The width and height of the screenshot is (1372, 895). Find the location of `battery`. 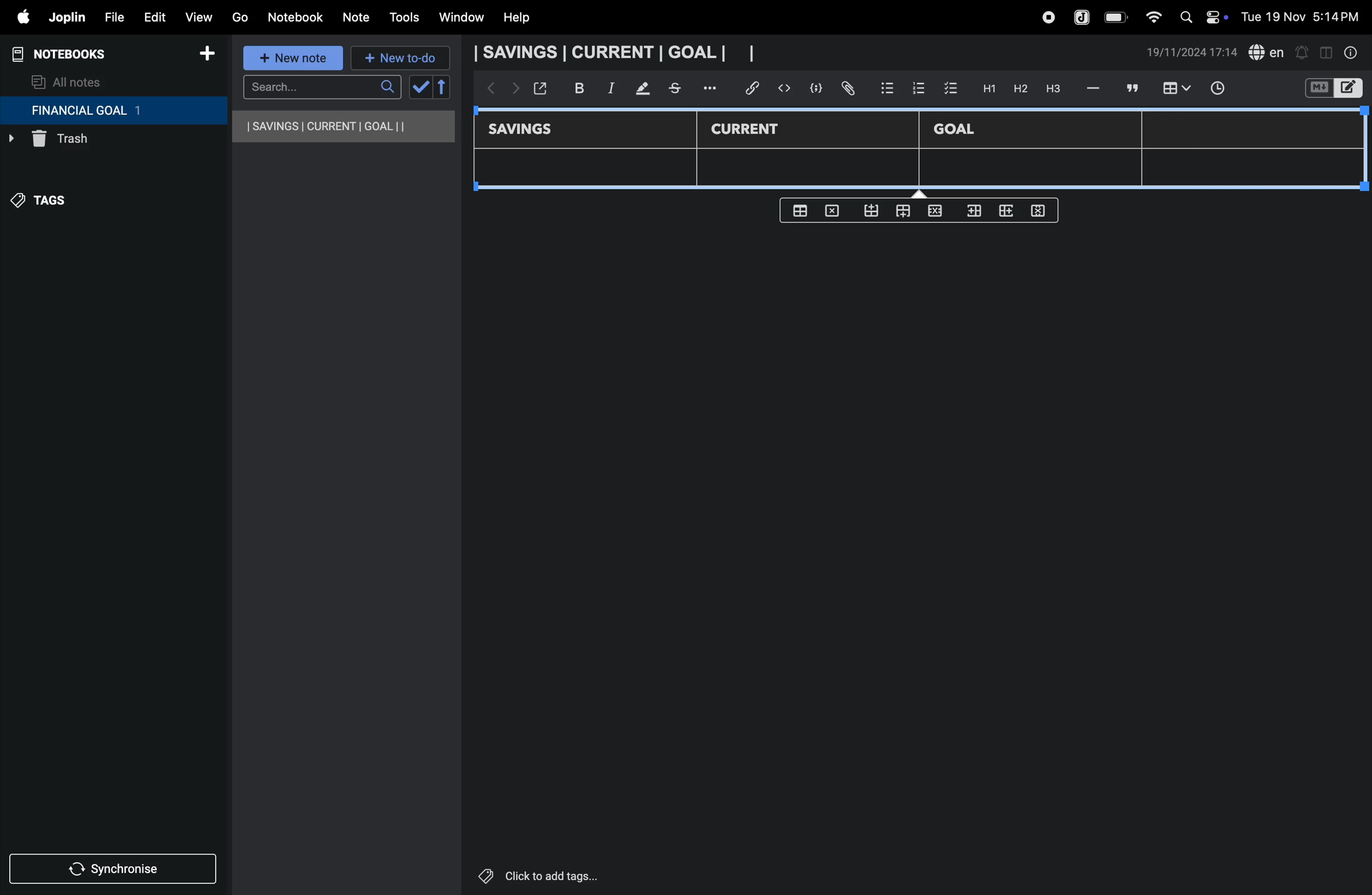

battery is located at coordinates (1117, 17).